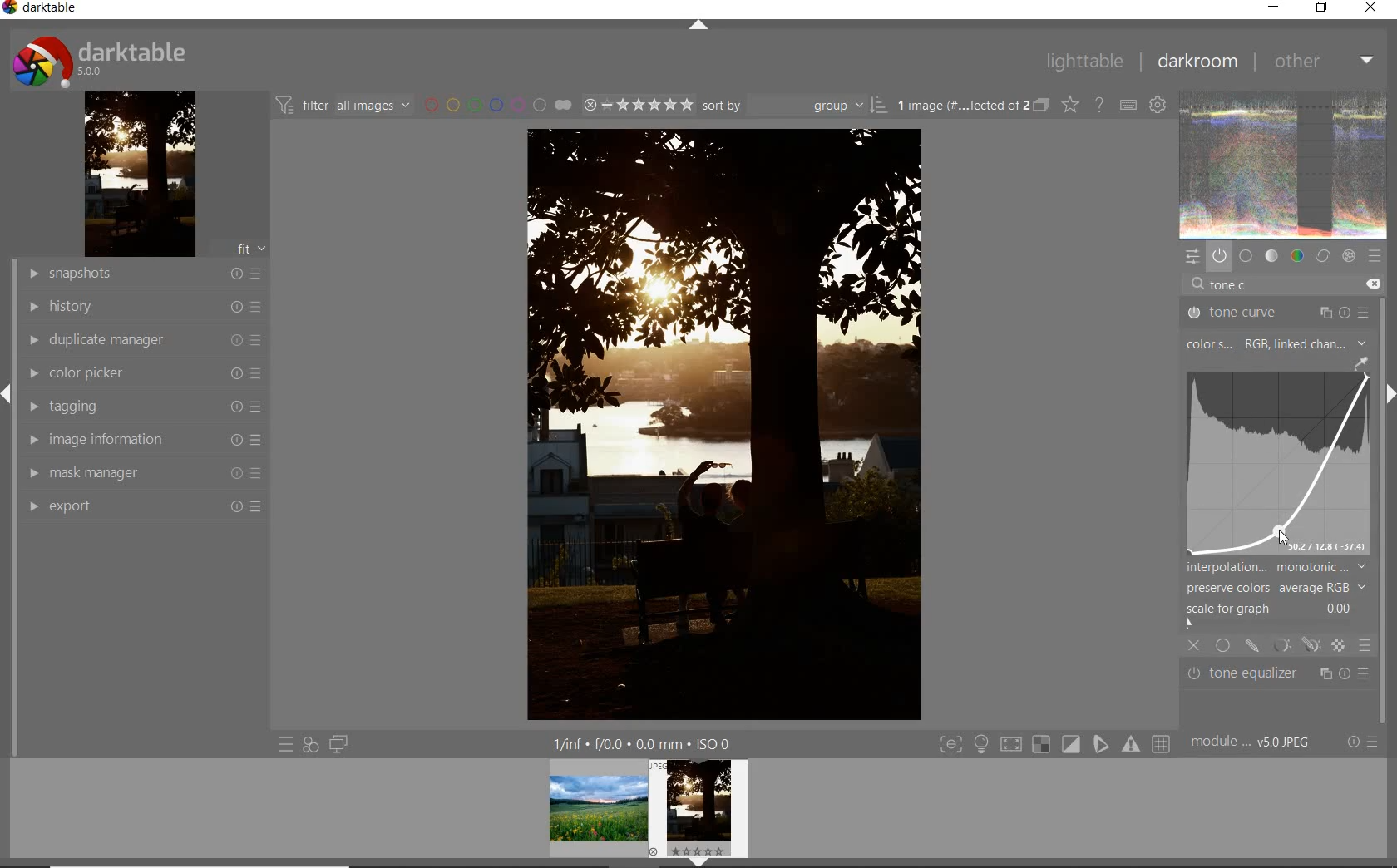  What do you see at coordinates (345, 106) in the screenshot?
I see `filter all images` at bounding box center [345, 106].